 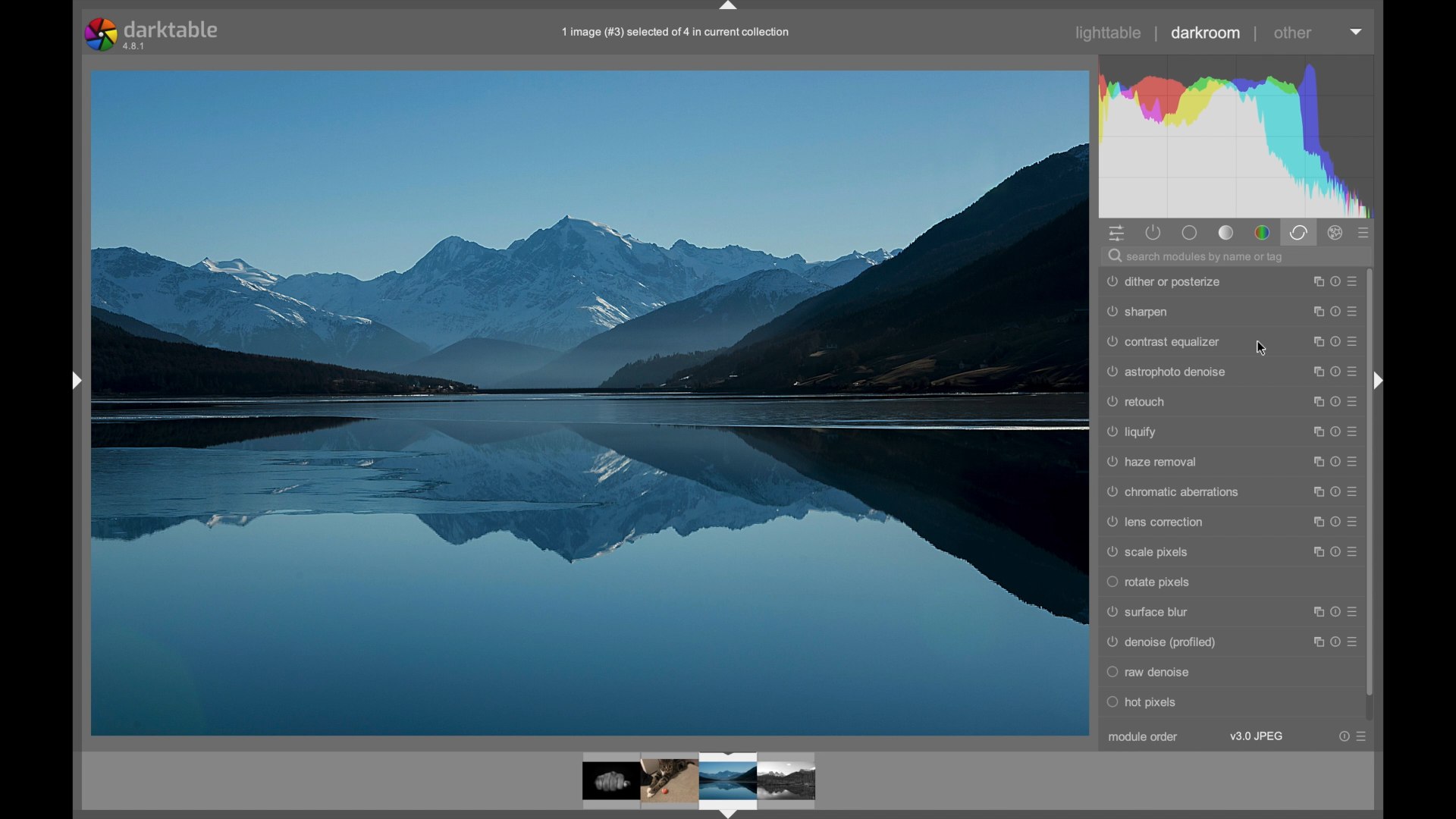 What do you see at coordinates (1262, 231) in the screenshot?
I see `color` at bounding box center [1262, 231].